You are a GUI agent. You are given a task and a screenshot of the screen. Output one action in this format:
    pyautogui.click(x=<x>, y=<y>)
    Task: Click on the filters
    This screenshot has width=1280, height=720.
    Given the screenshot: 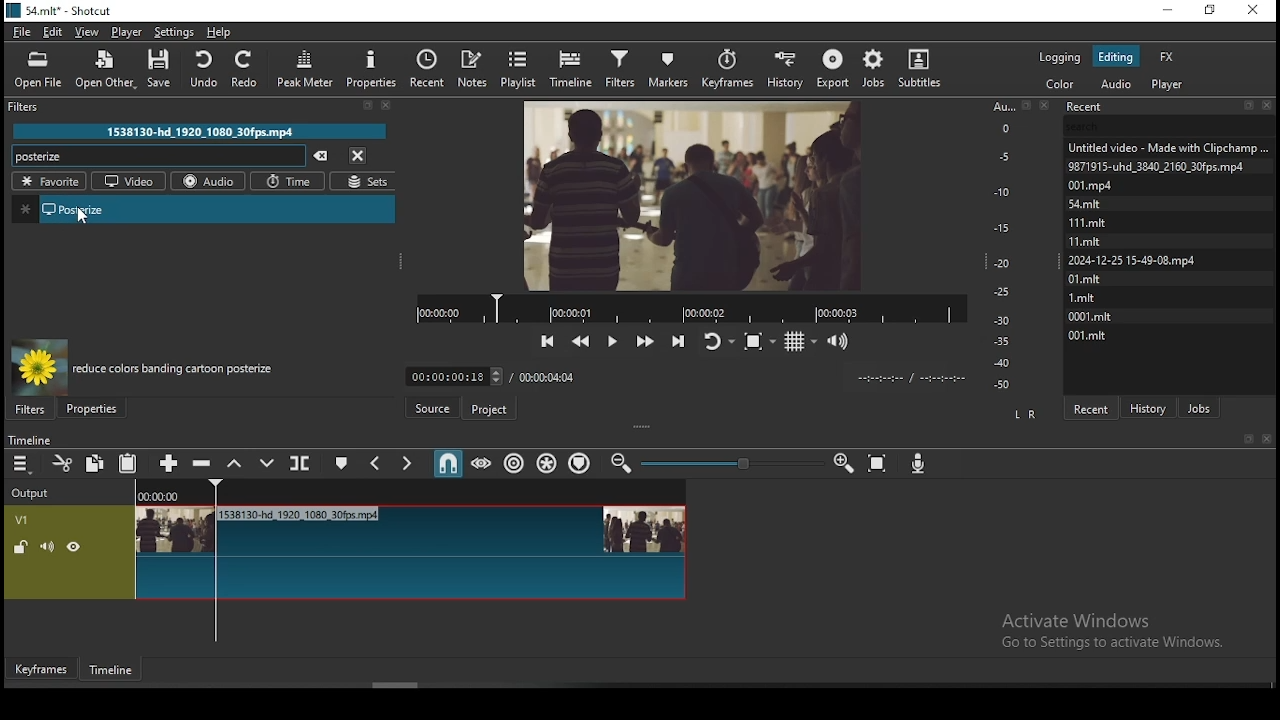 What is the action you would take?
    pyautogui.click(x=31, y=408)
    